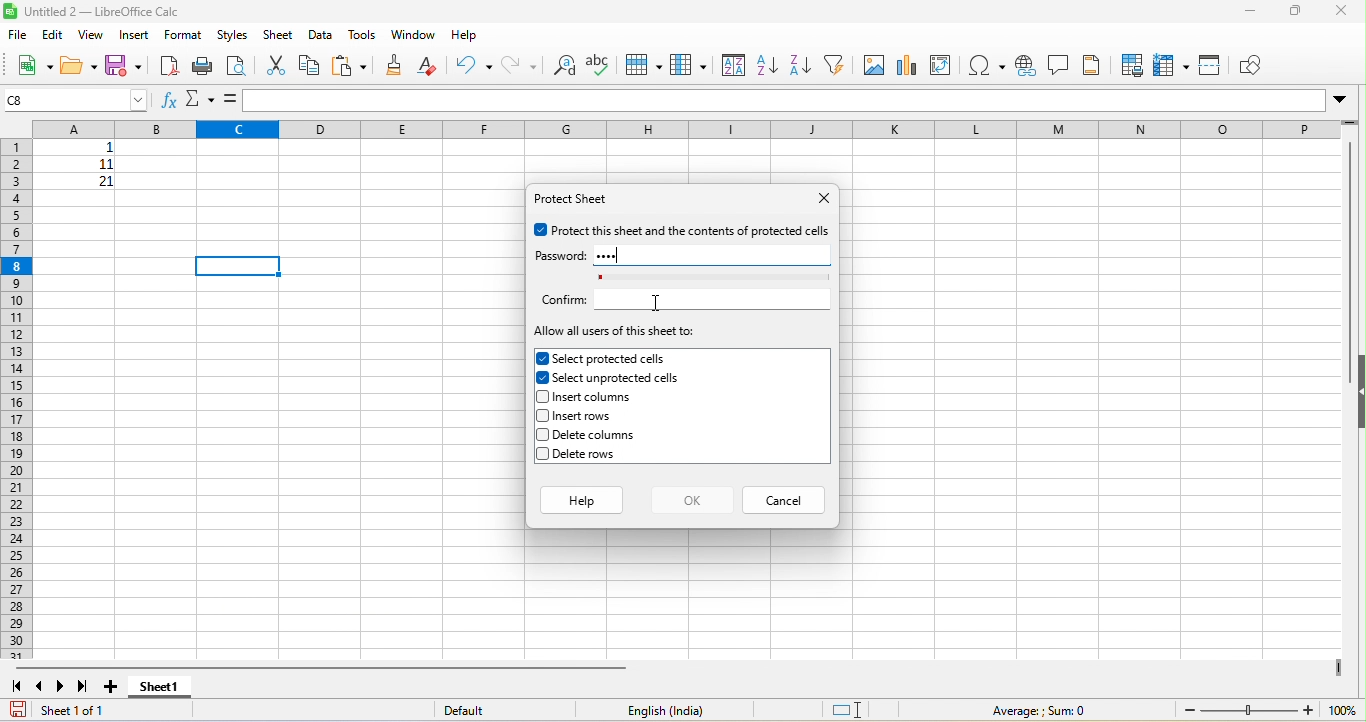  What do you see at coordinates (1335, 666) in the screenshot?
I see `drag to view more columns` at bounding box center [1335, 666].